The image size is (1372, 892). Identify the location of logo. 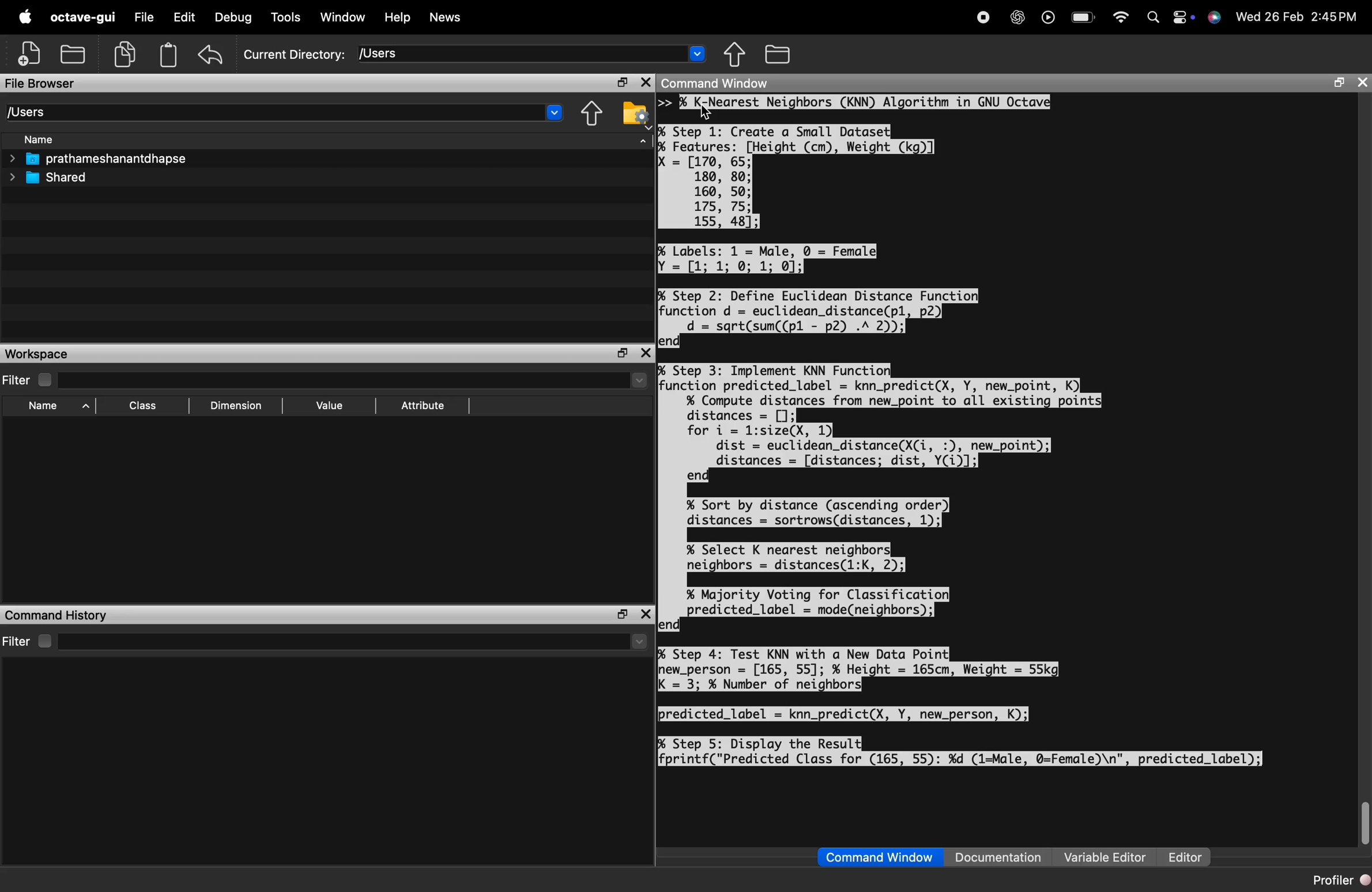
(25, 17).